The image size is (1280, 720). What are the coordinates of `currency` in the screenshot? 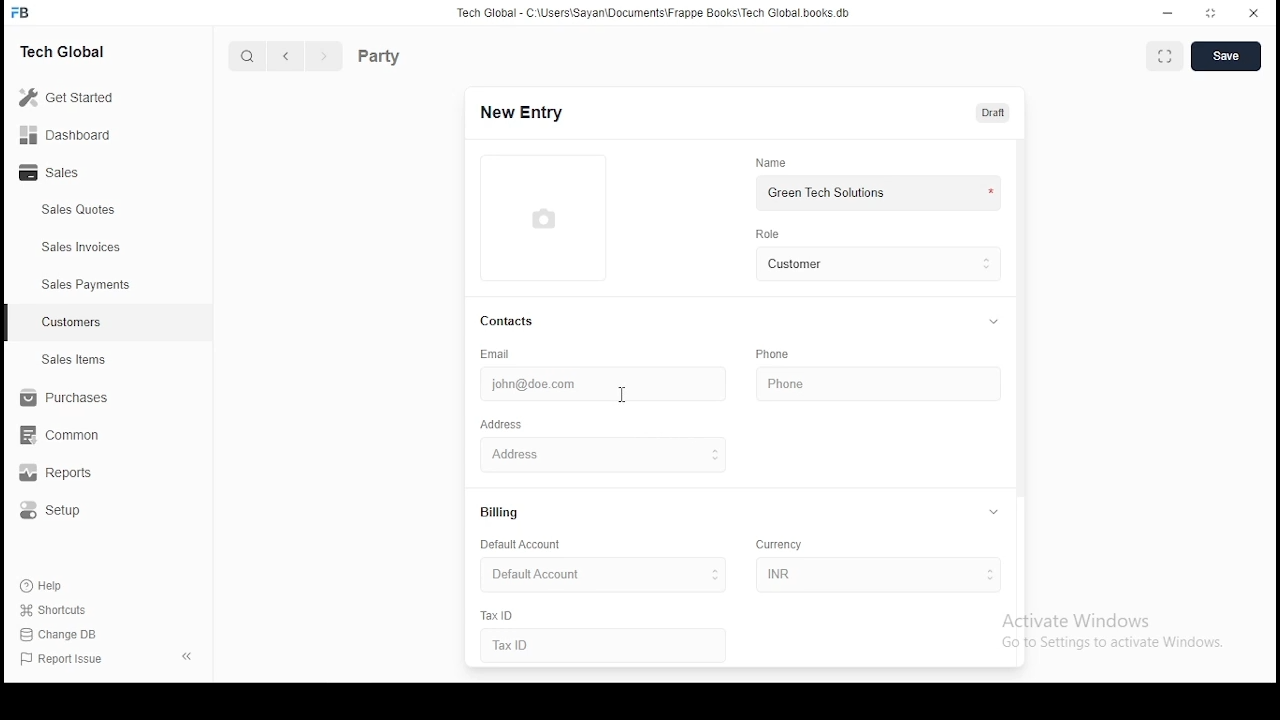 It's located at (784, 546).